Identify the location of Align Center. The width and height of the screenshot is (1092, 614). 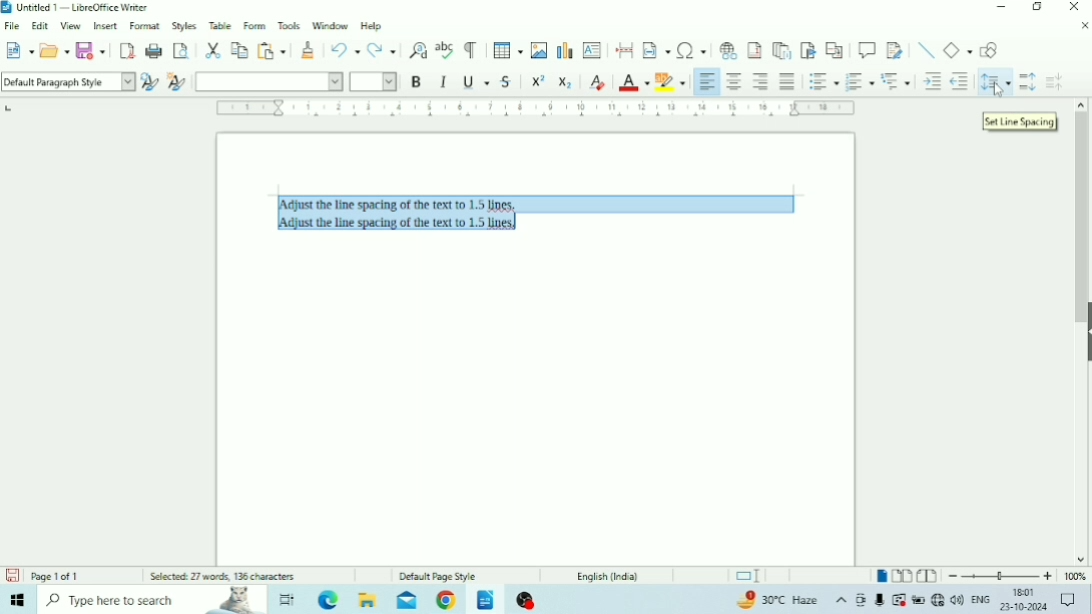
(734, 81).